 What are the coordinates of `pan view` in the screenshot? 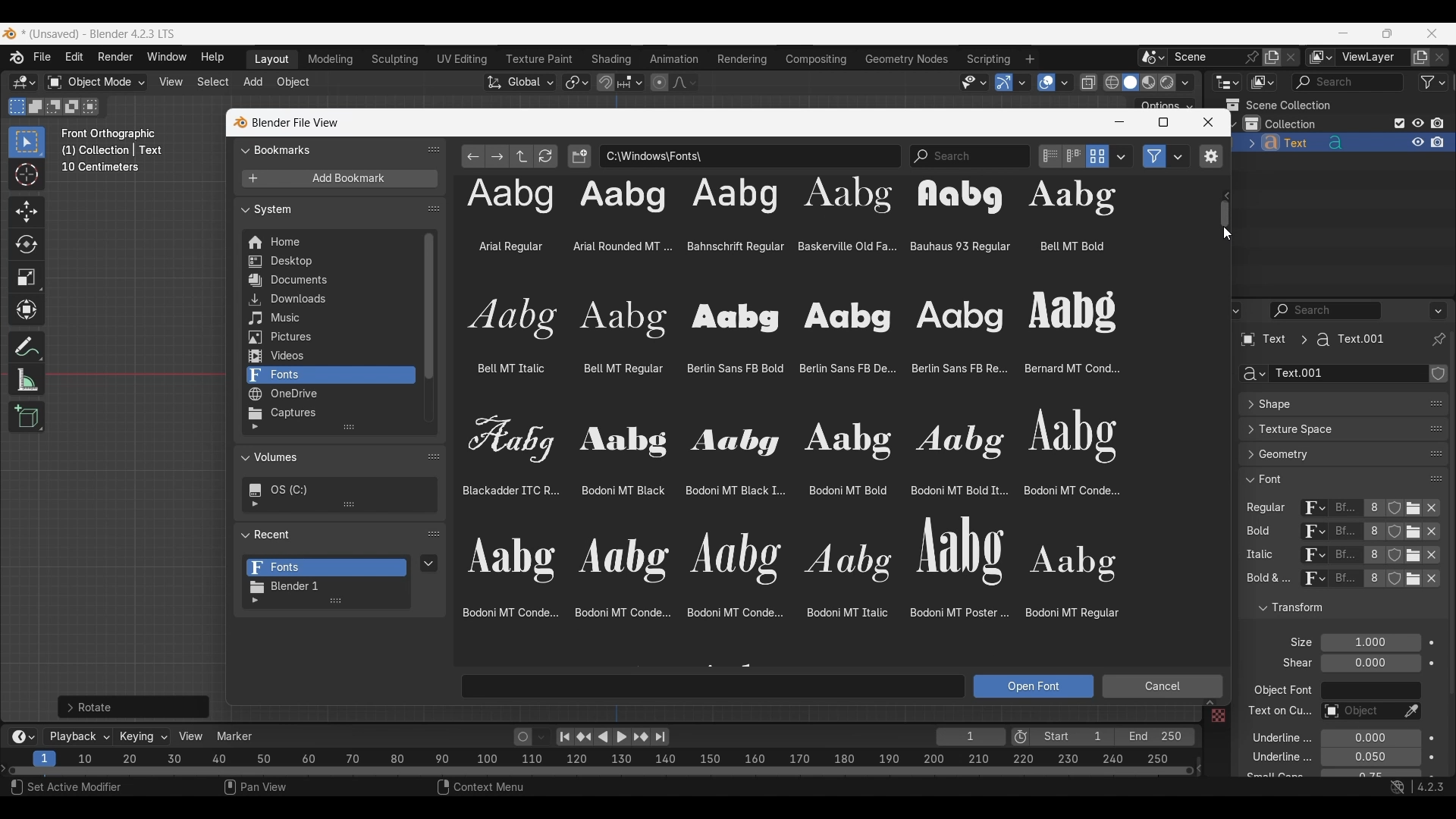 It's located at (273, 789).